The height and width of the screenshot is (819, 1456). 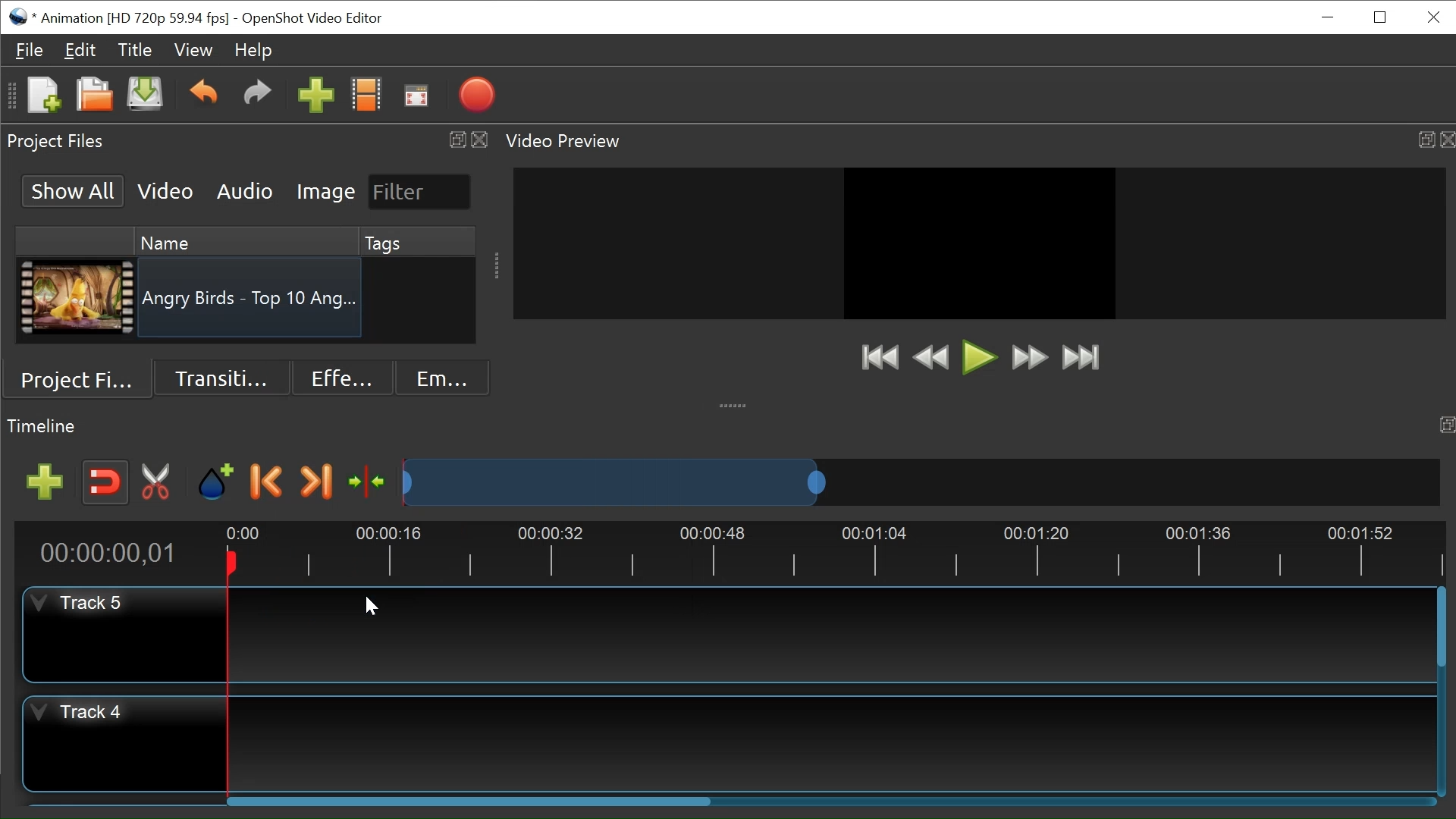 I want to click on Razor, so click(x=160, y=482).